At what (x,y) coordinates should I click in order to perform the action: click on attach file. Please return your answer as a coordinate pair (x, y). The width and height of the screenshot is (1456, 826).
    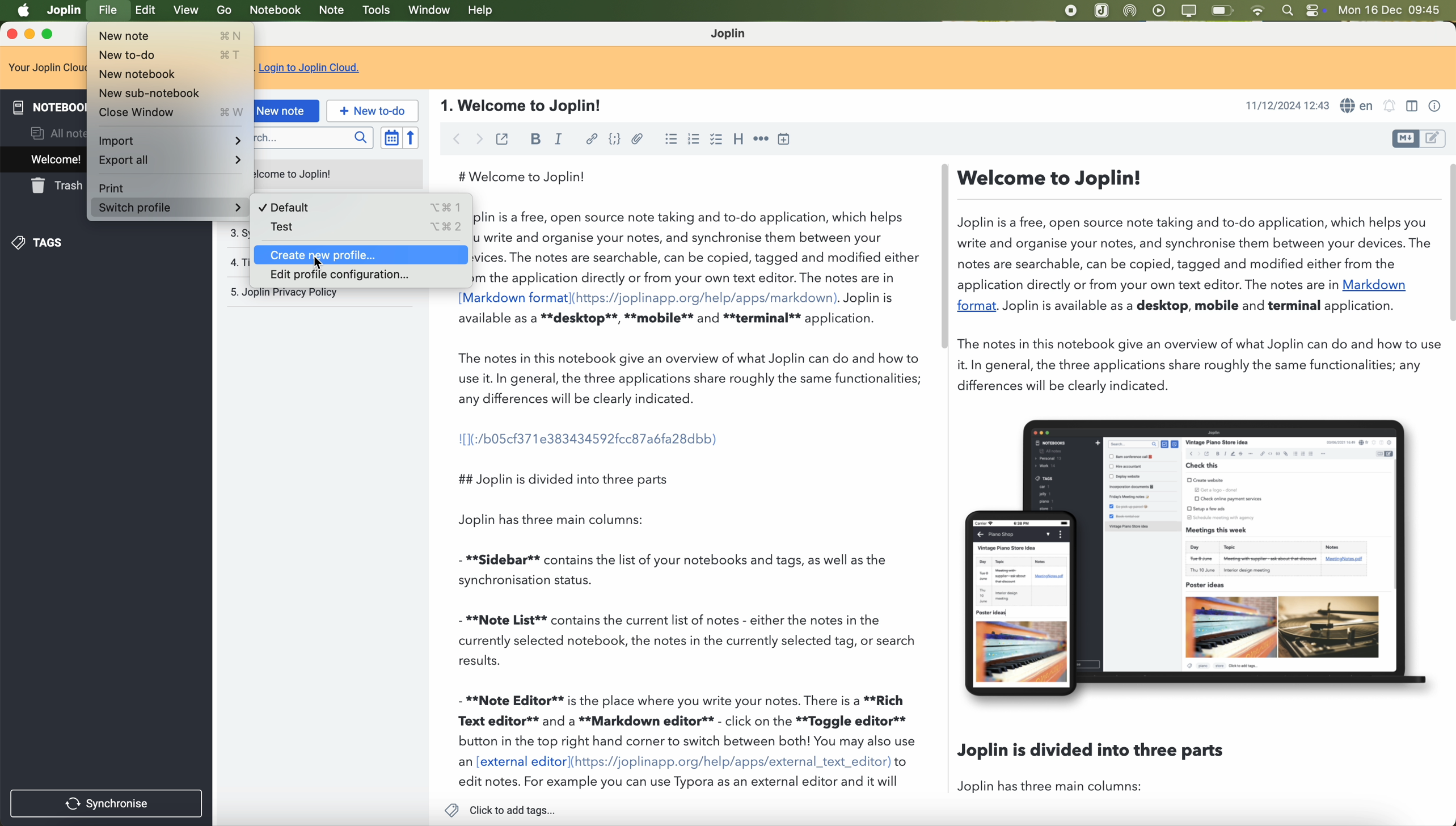
    Looking at the image, I should click on (639, 138).